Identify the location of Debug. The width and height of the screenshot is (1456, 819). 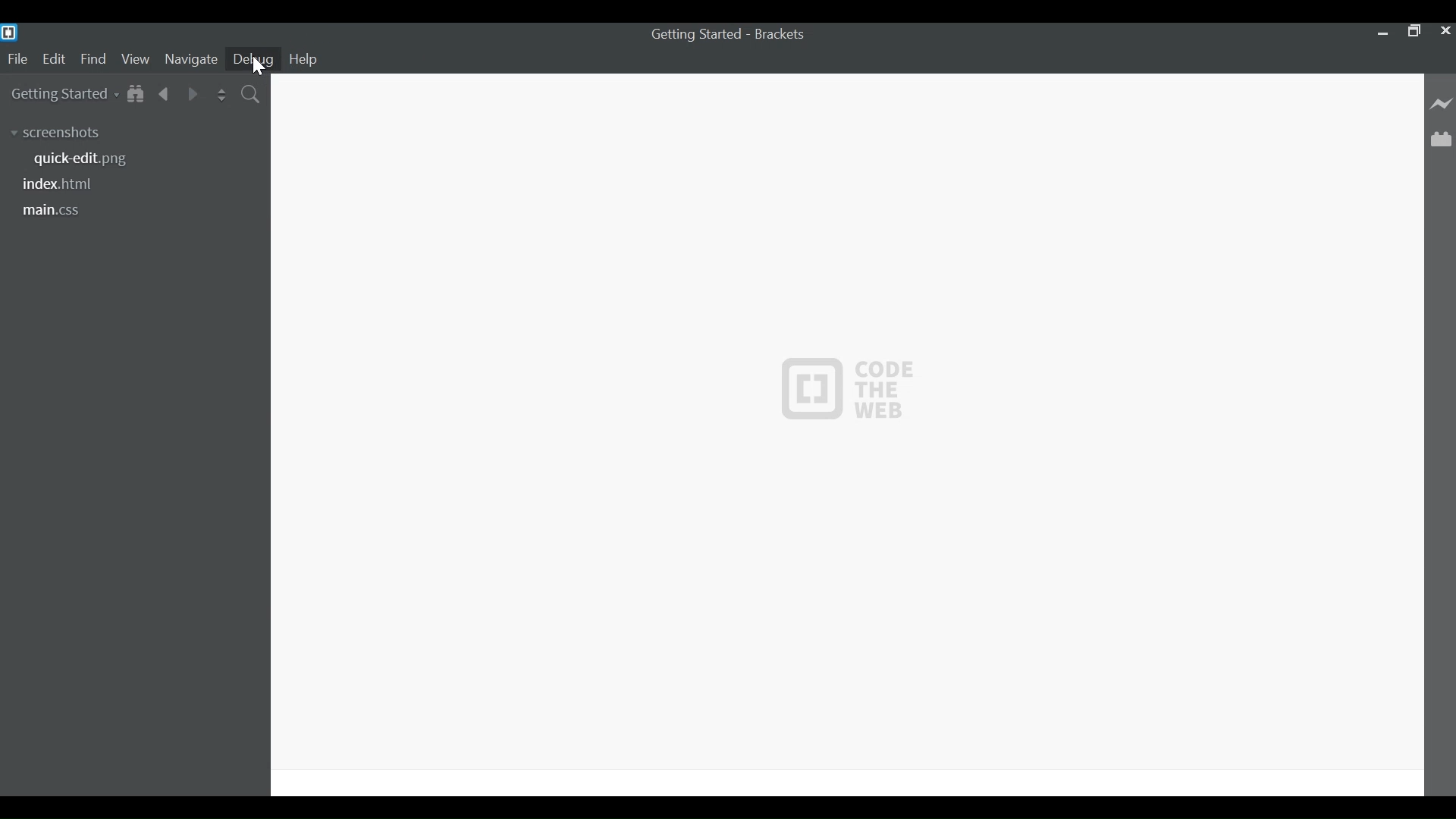
(256, 58).